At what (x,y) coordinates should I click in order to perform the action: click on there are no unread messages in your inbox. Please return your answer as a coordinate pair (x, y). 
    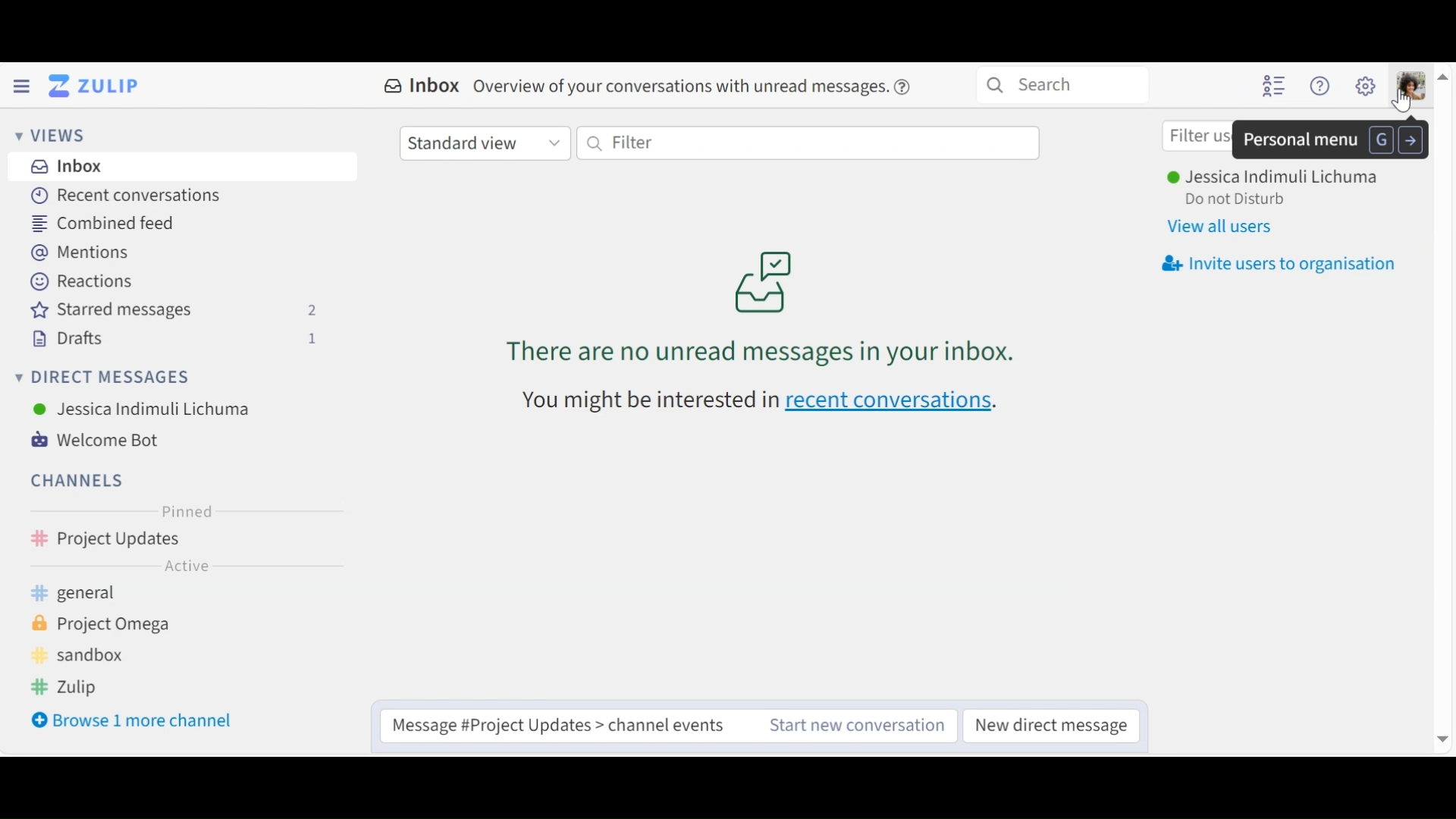
    Looking at the image, I should click on (721, 354).